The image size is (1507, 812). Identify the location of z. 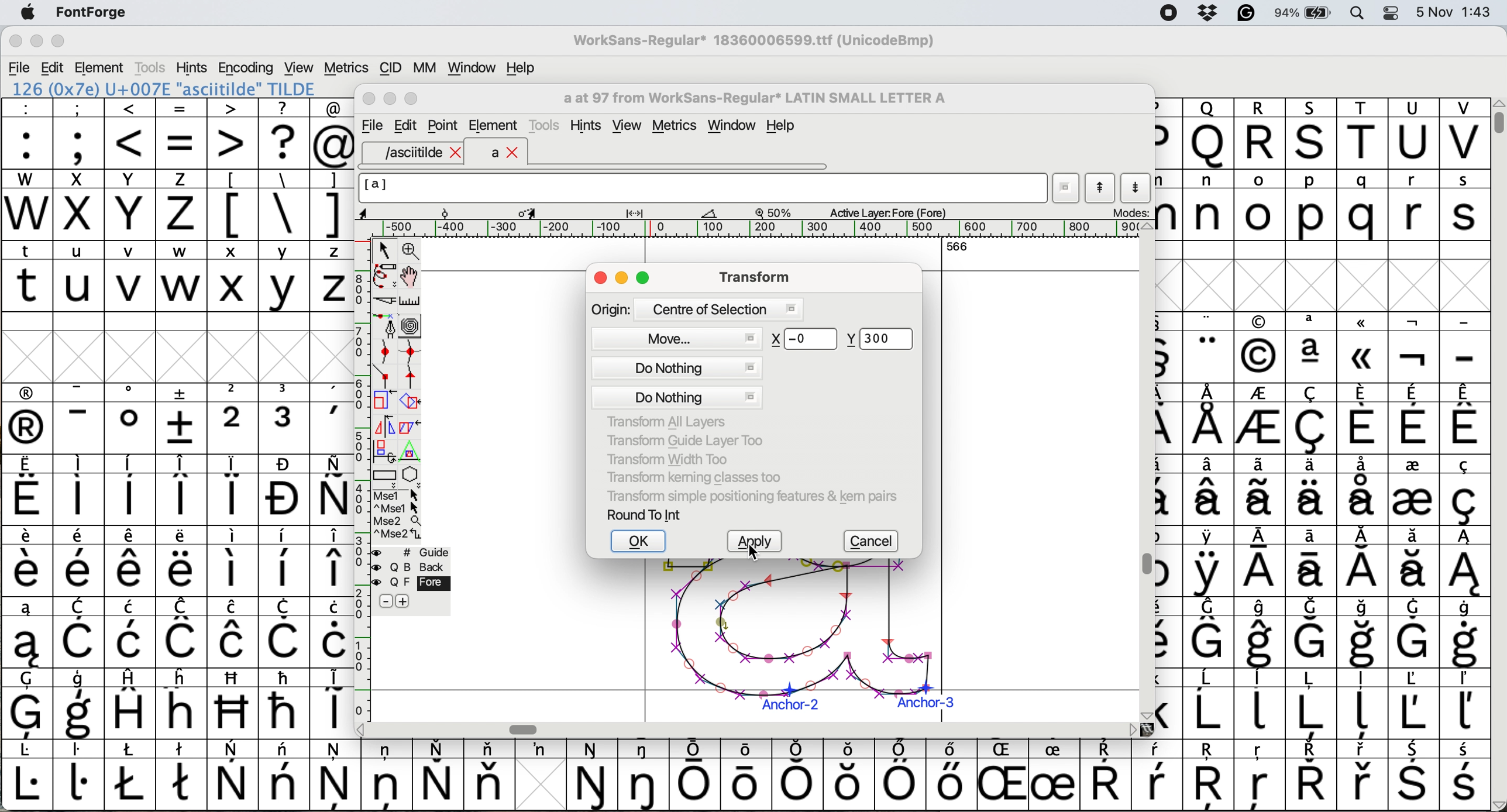
(181, 204).